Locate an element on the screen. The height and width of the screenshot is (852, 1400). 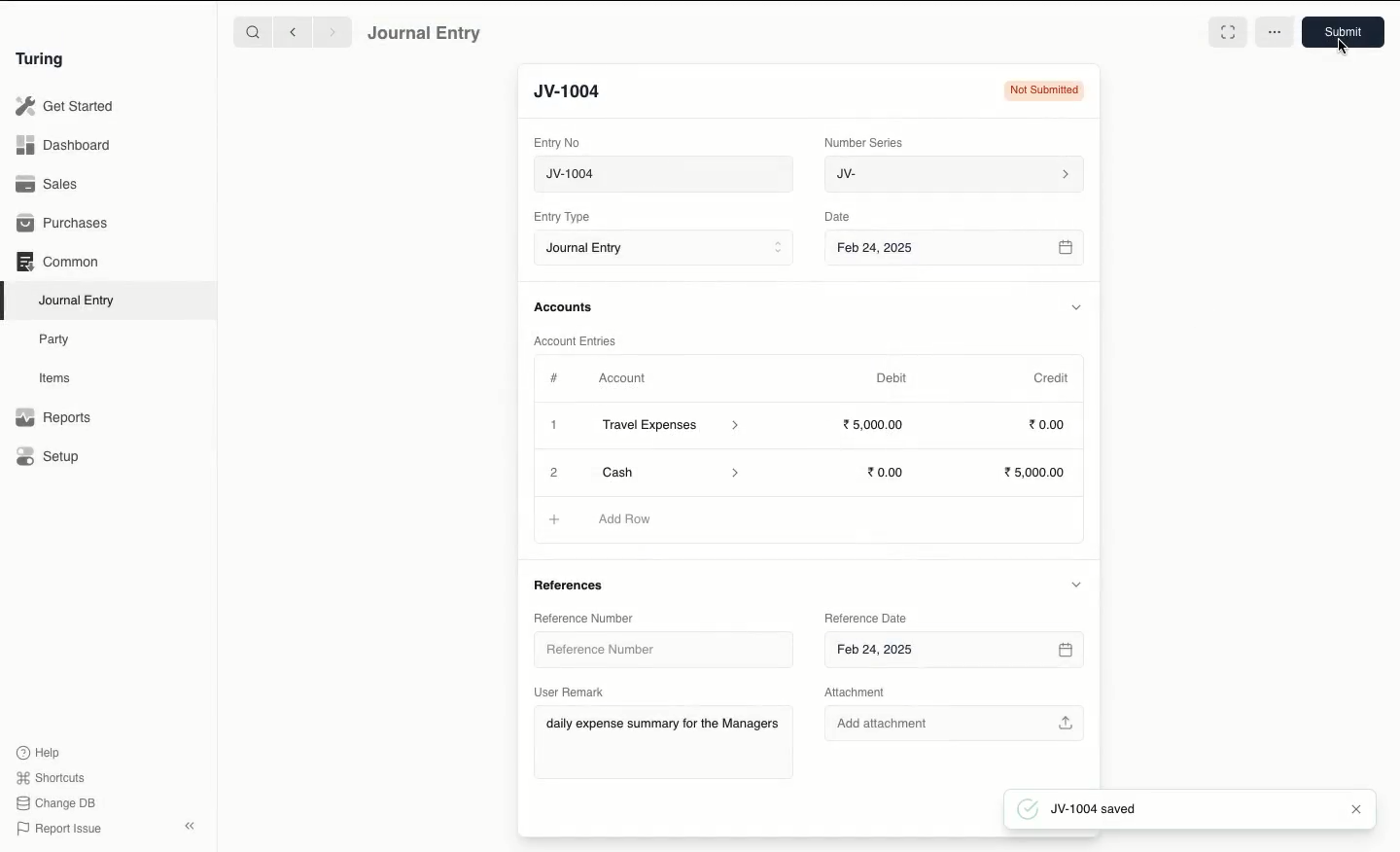
Add Row is located at coordinates (626, 518).